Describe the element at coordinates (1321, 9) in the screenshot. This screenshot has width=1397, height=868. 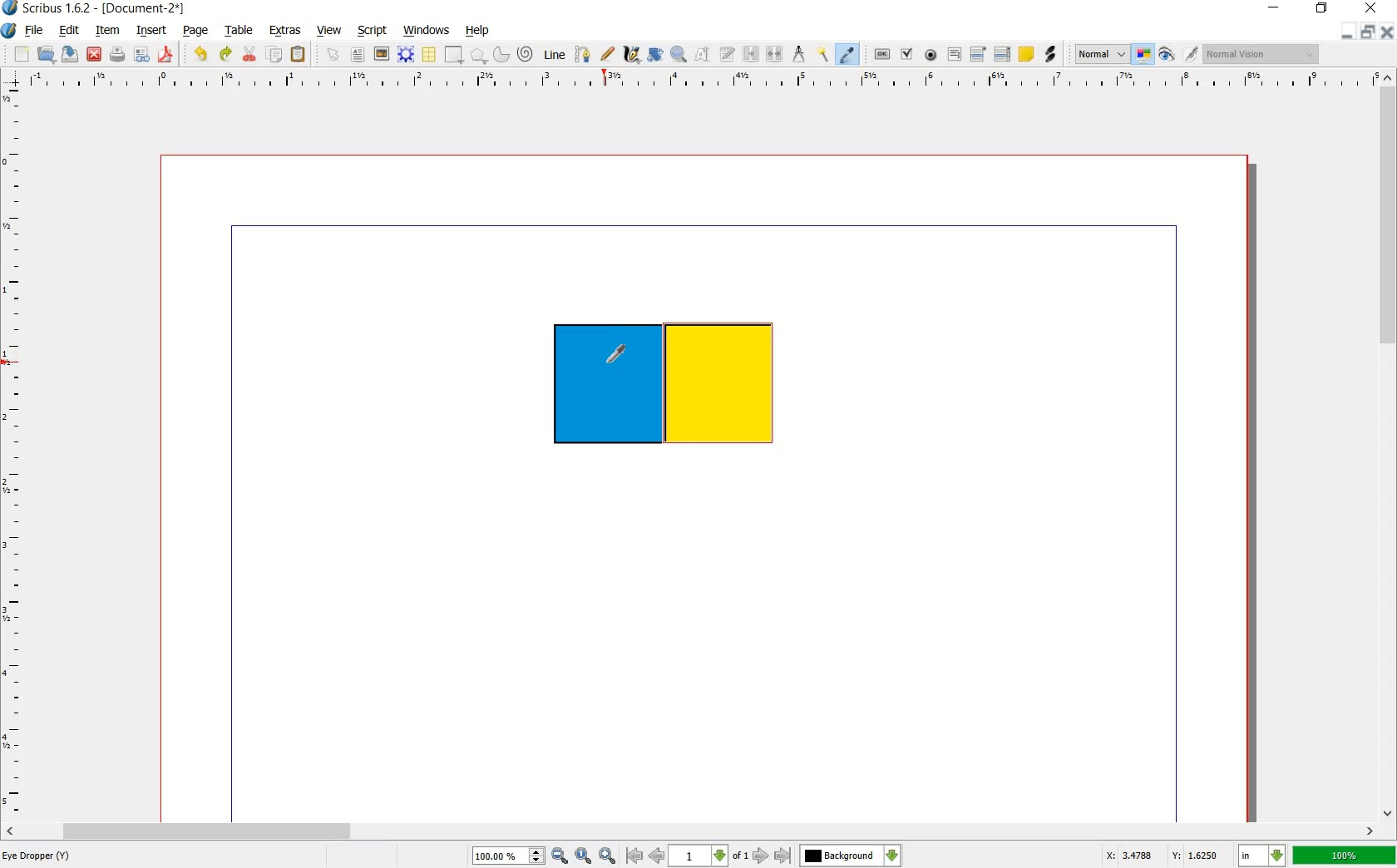
I see `restore` at that location.